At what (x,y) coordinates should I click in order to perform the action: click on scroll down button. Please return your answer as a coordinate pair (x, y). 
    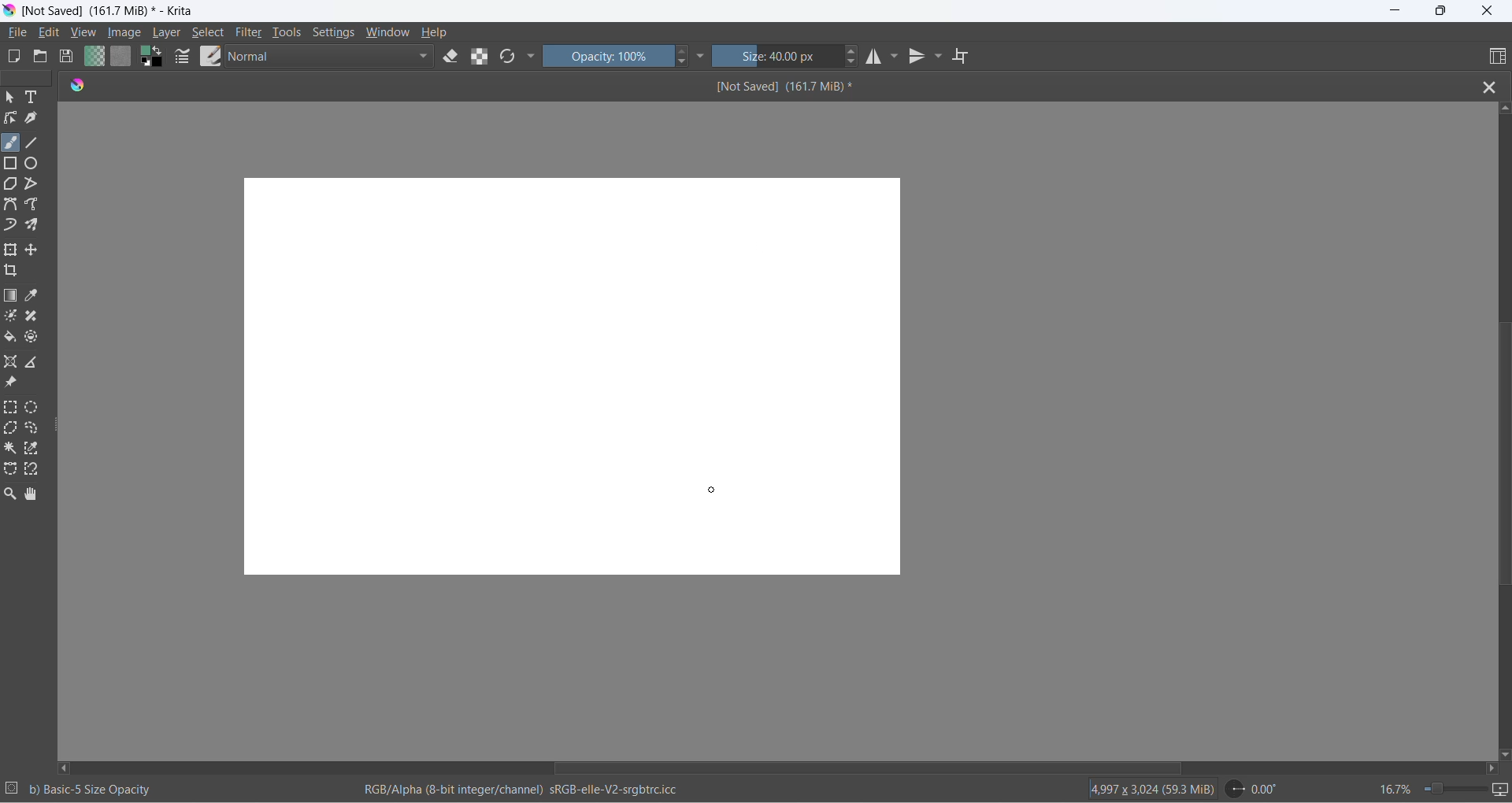
    Looking at the image, I should click on (1503, 751).